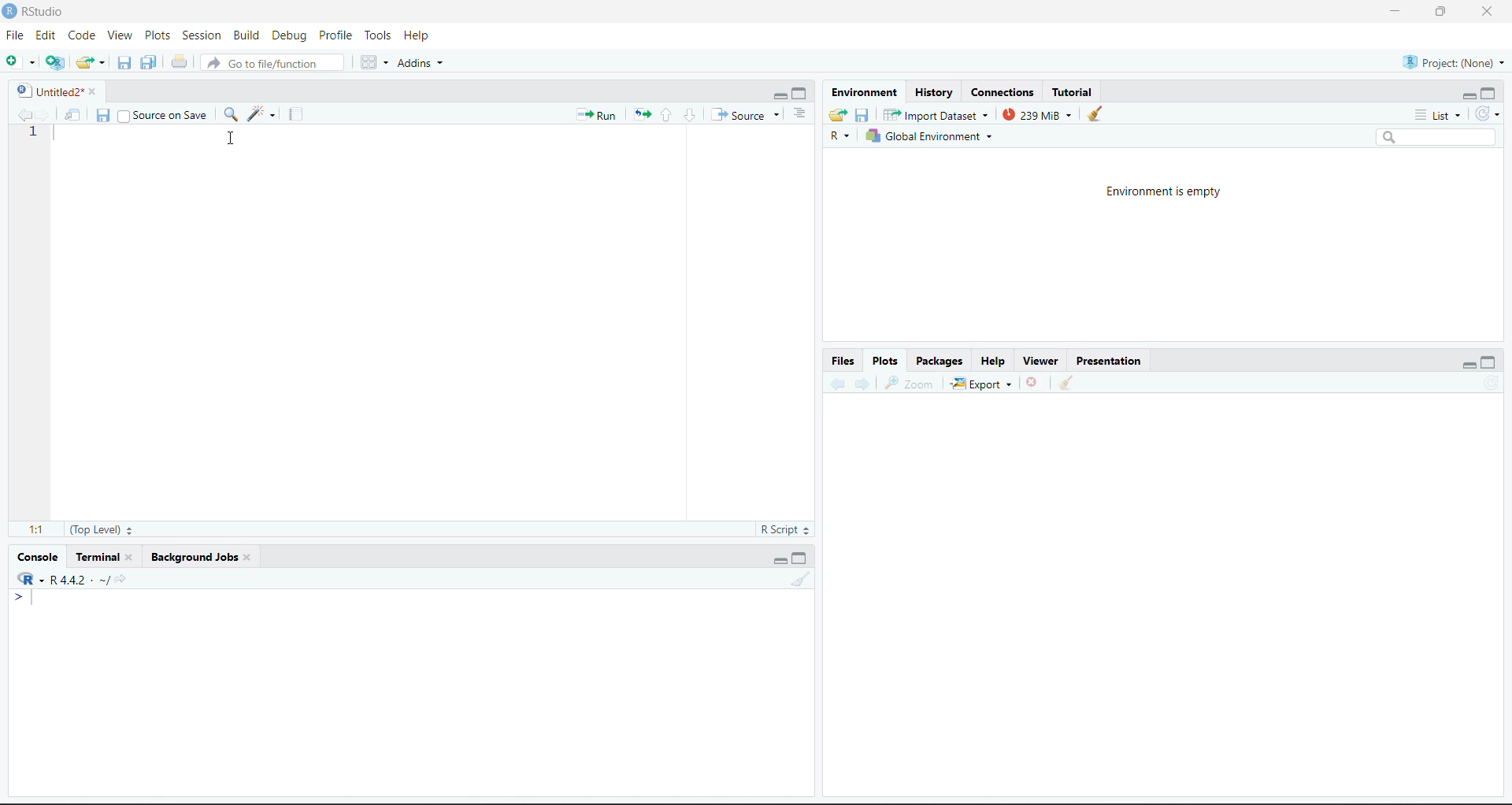  What do you see at coordinates (995, 361) in the screenshot?
I see `Help` at bounding box center [995, 361].